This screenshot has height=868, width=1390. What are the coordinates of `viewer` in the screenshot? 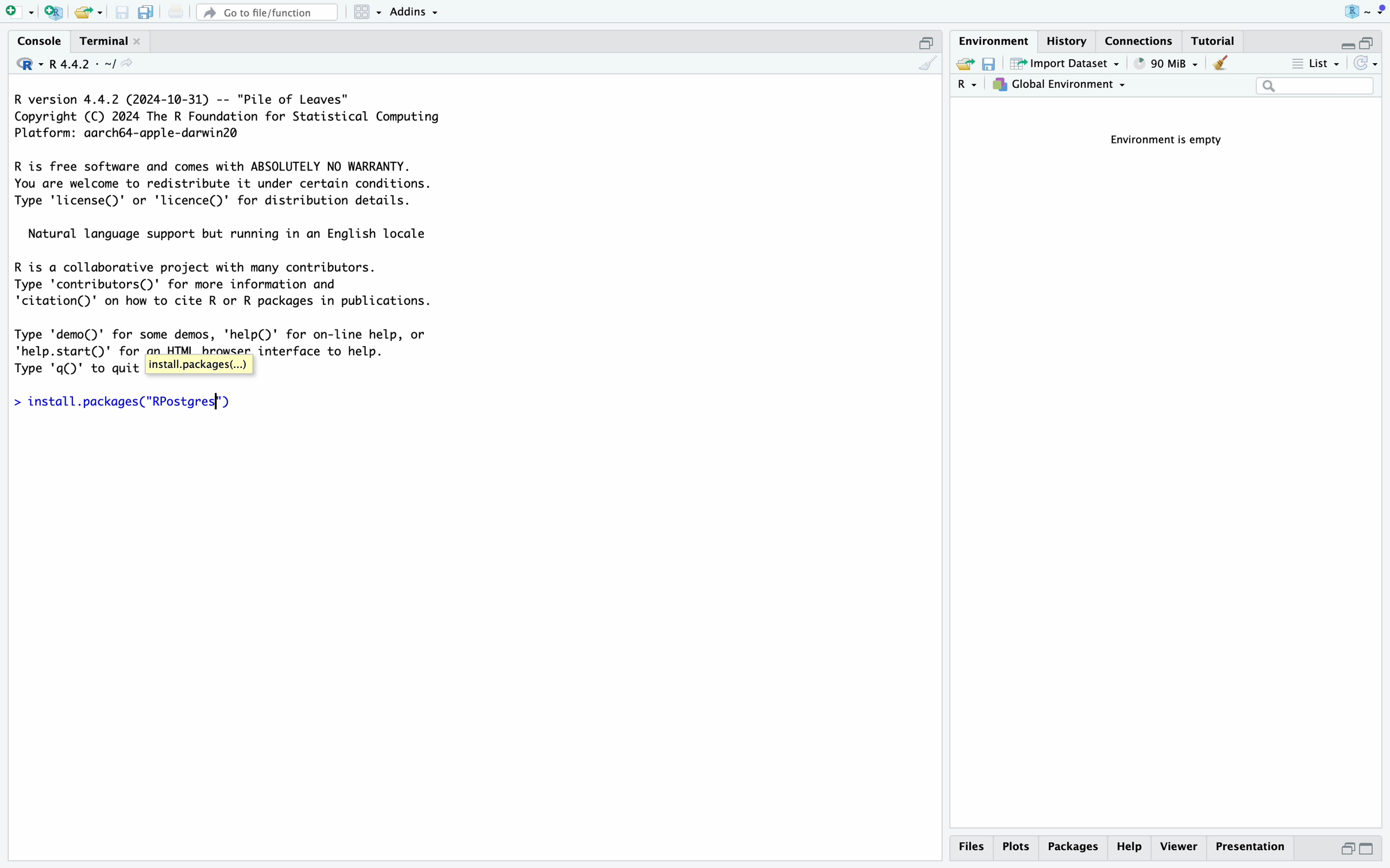 It's located at (1178, 847).